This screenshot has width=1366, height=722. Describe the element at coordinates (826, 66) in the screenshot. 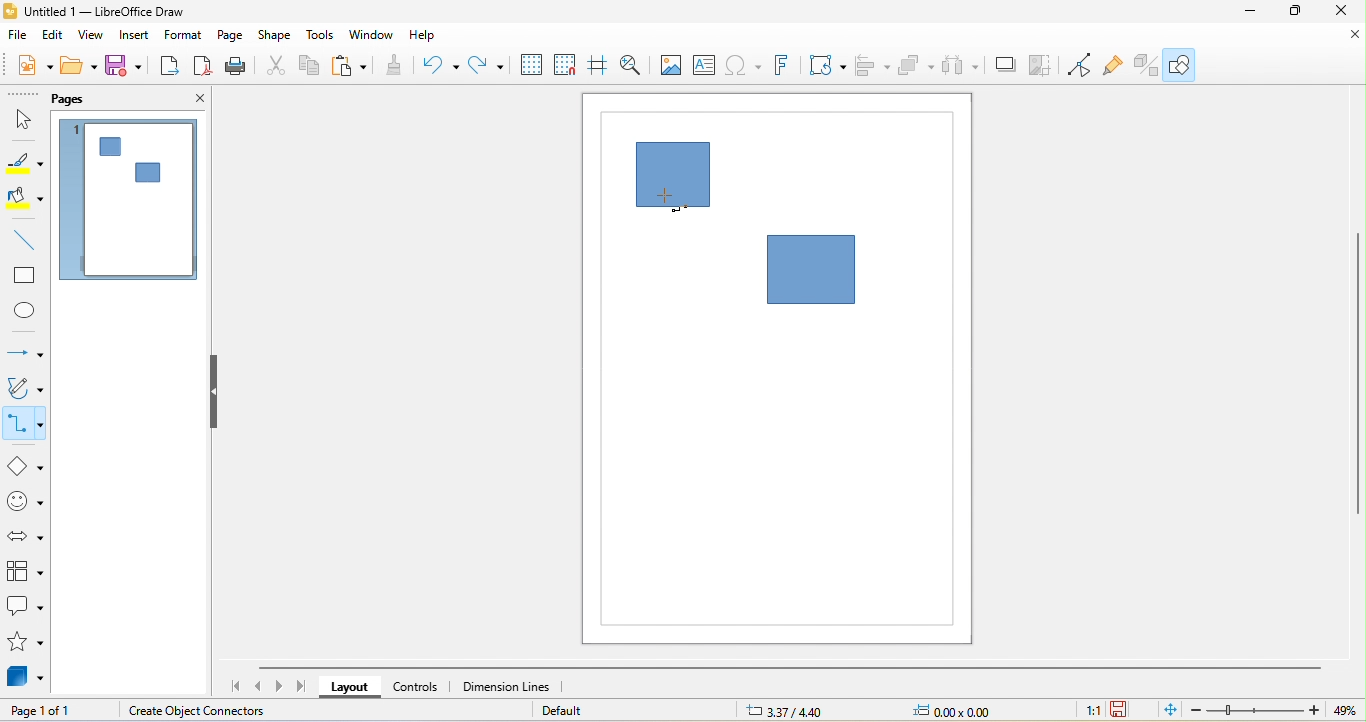

I see `transformation` at that location.